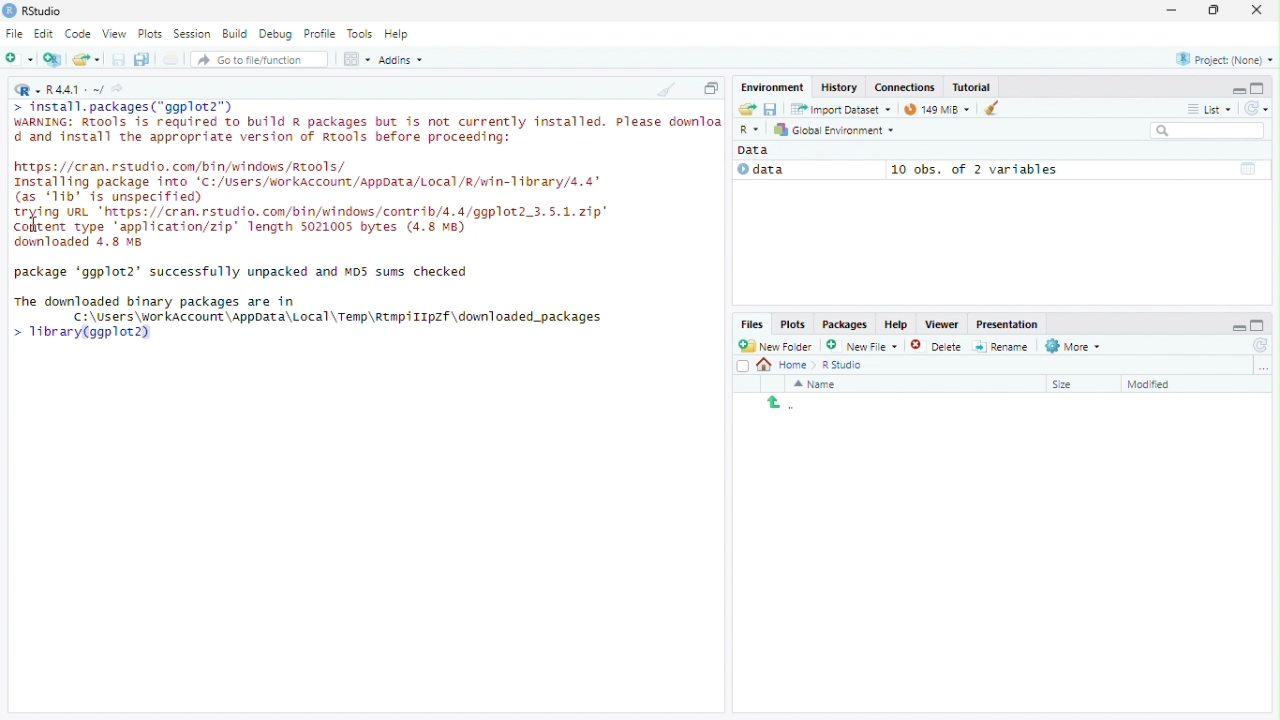 The width and height of the screenshot is (1280, 720). What do you see at coordinates (773, 110) in the screenshot?
I see `save workspace as` at bounding box center [773, 110].